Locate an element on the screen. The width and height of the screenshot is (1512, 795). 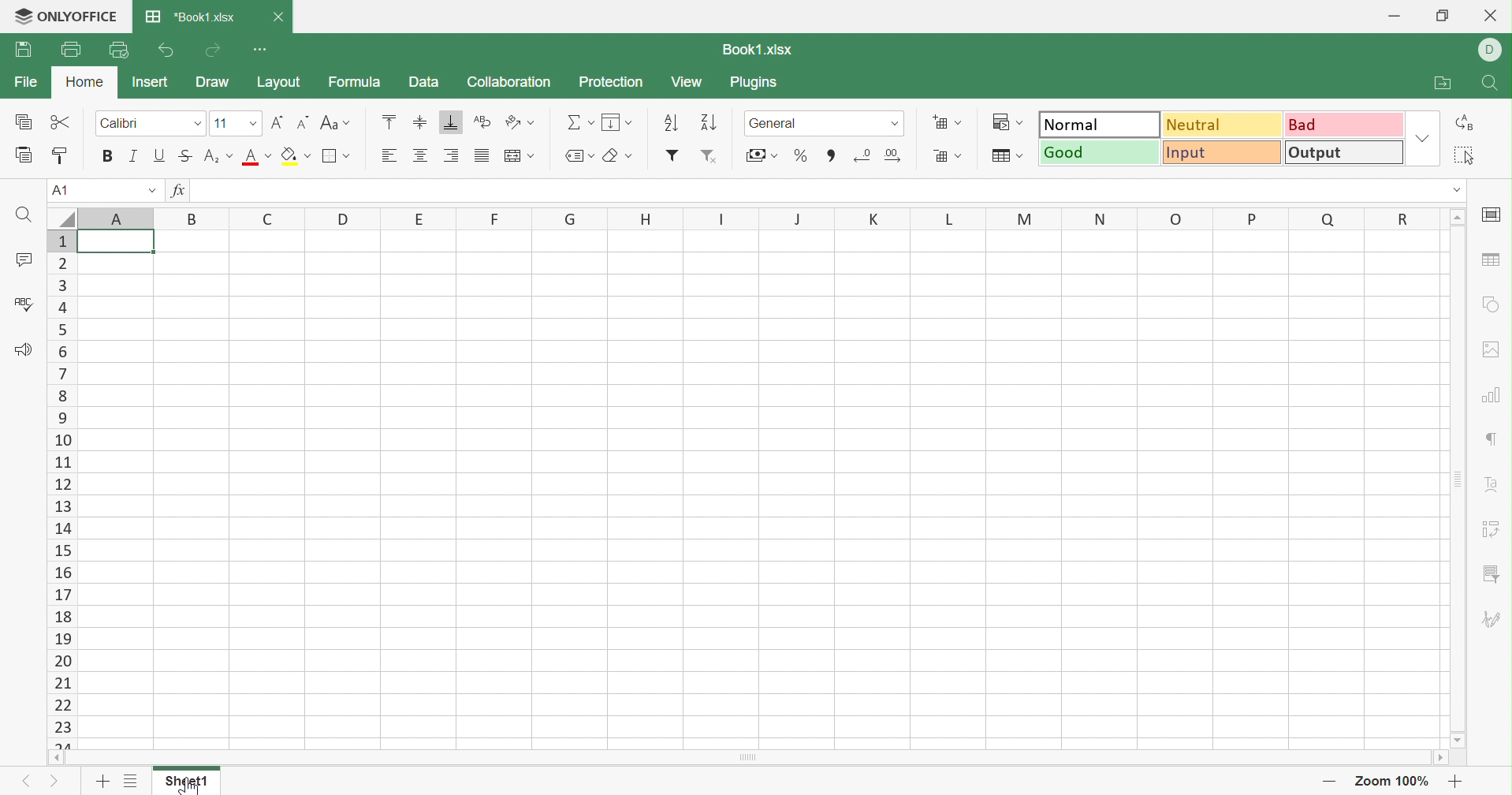
Layout is located at coordinates (277, 83).